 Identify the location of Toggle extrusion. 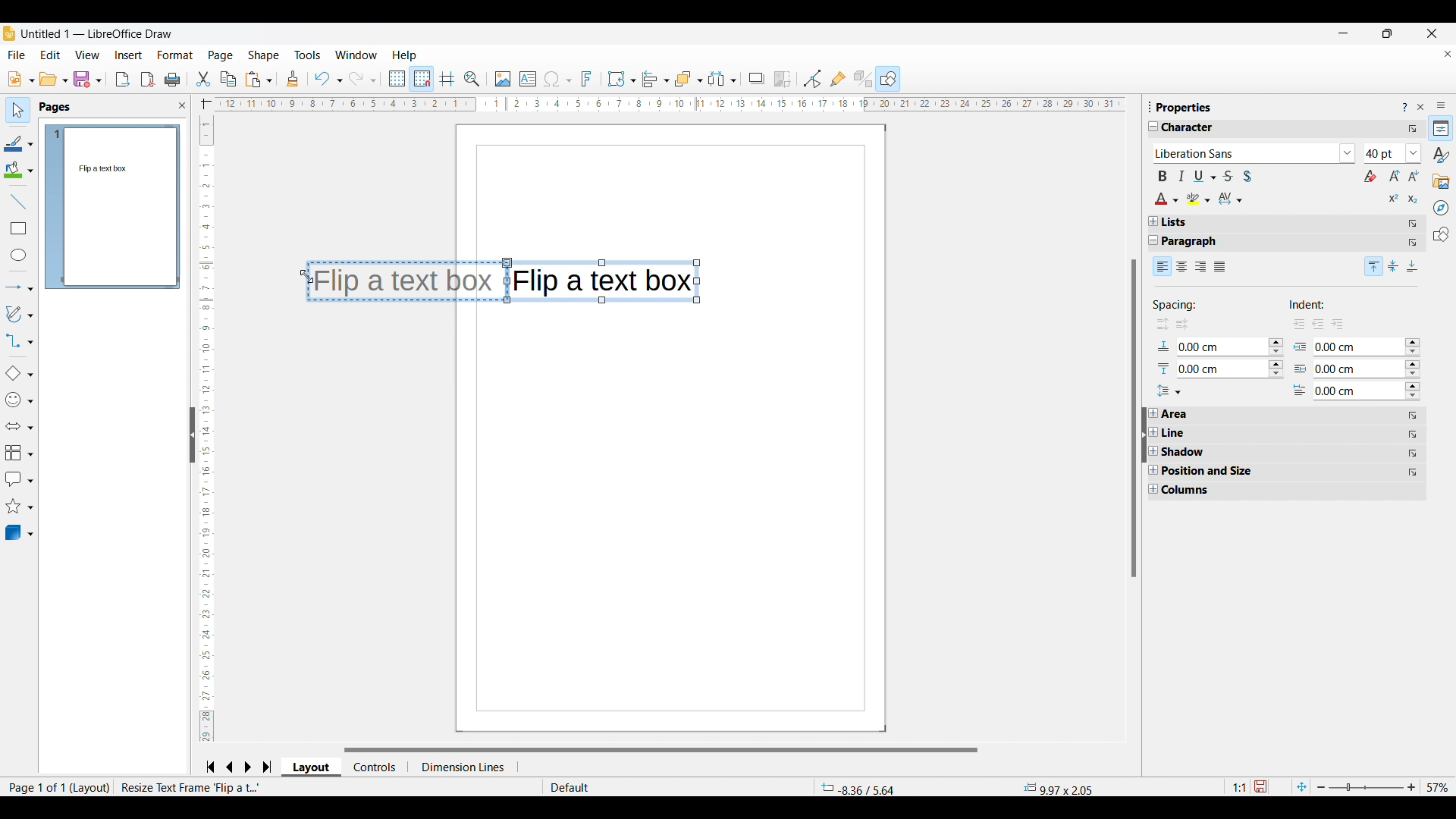
(864, 79).